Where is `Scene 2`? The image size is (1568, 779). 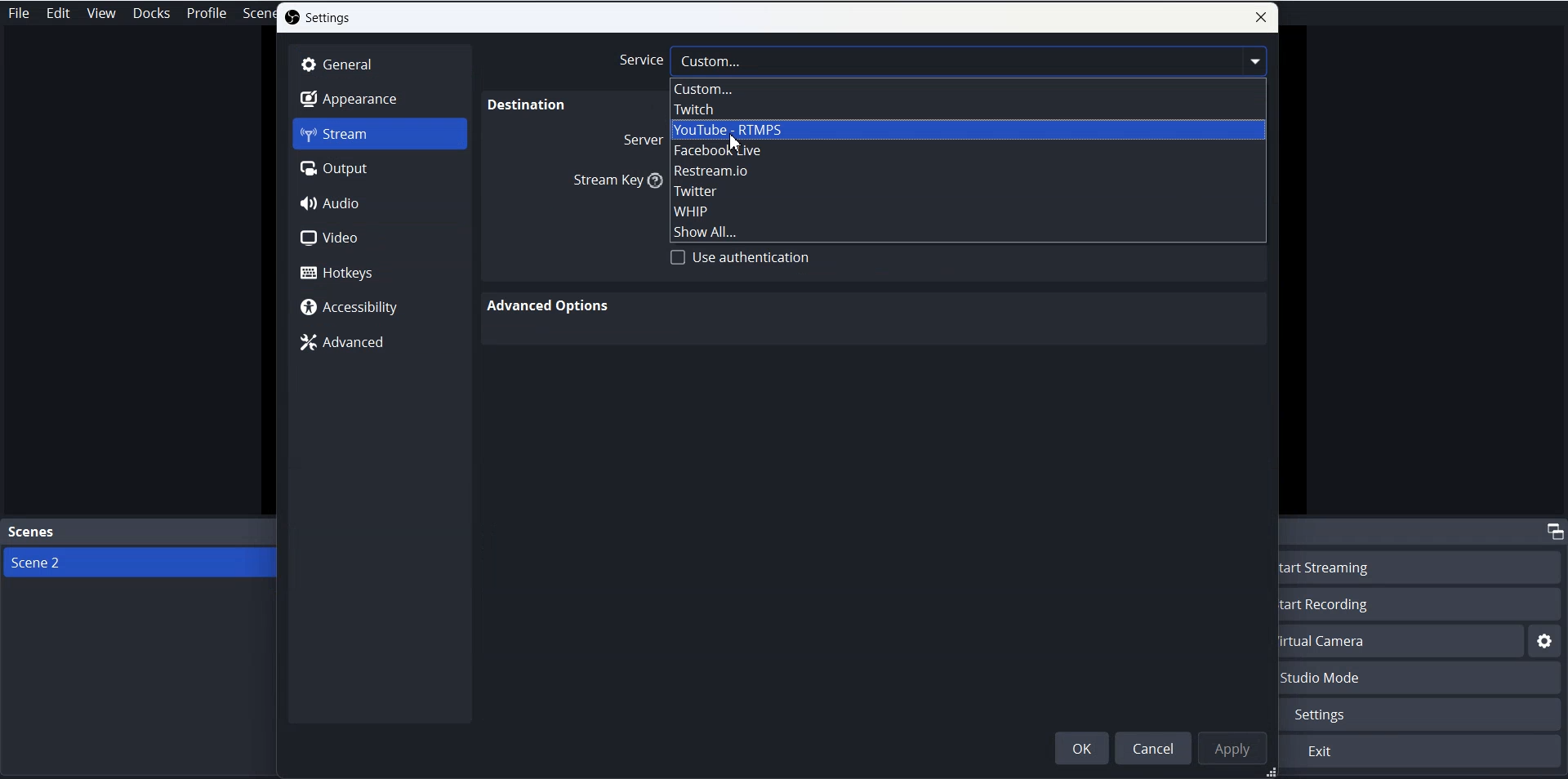 Scene 2 is located at coordinates (139, 562).